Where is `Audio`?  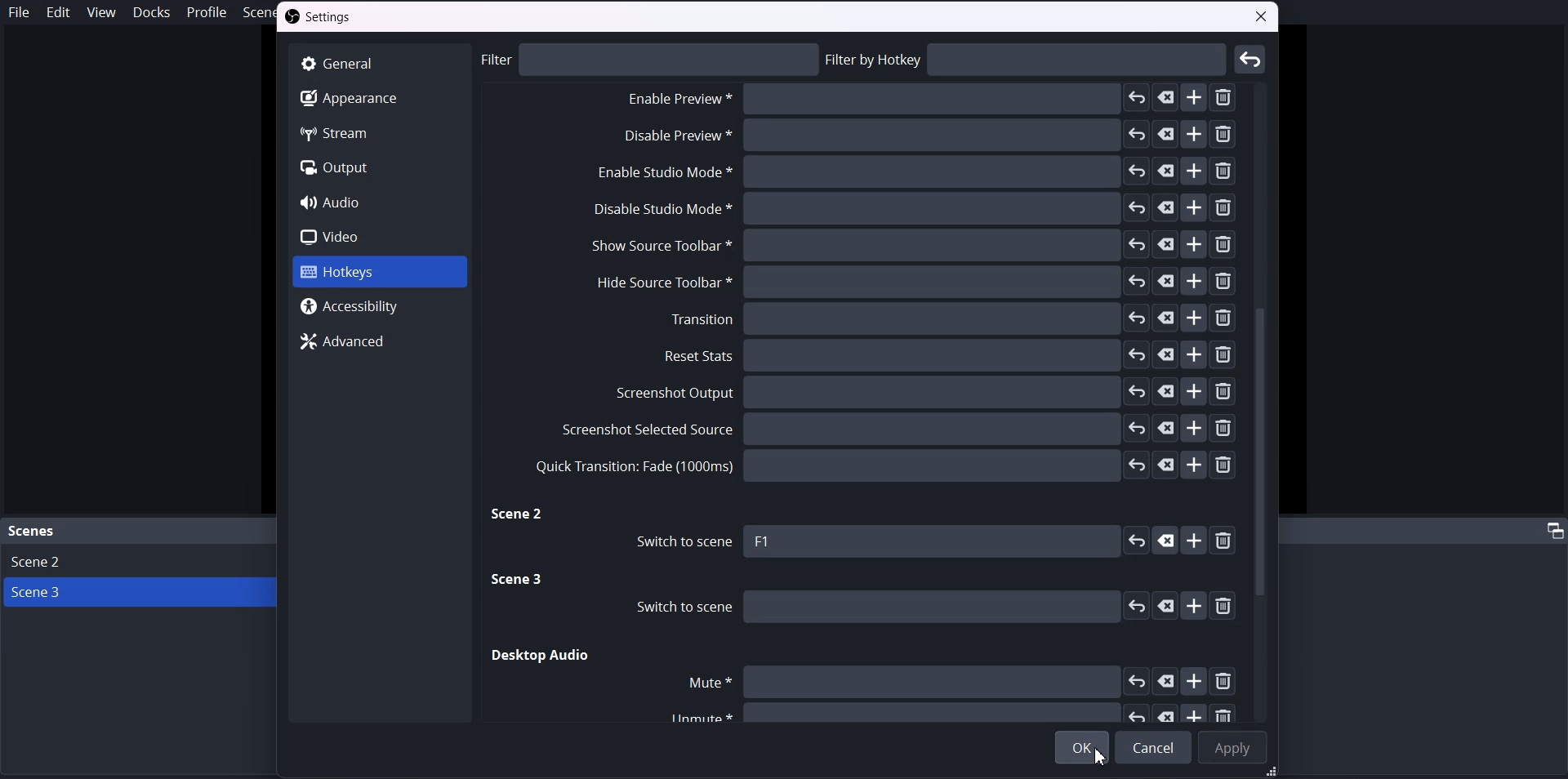
Audio is located at coordinates (379, 202).